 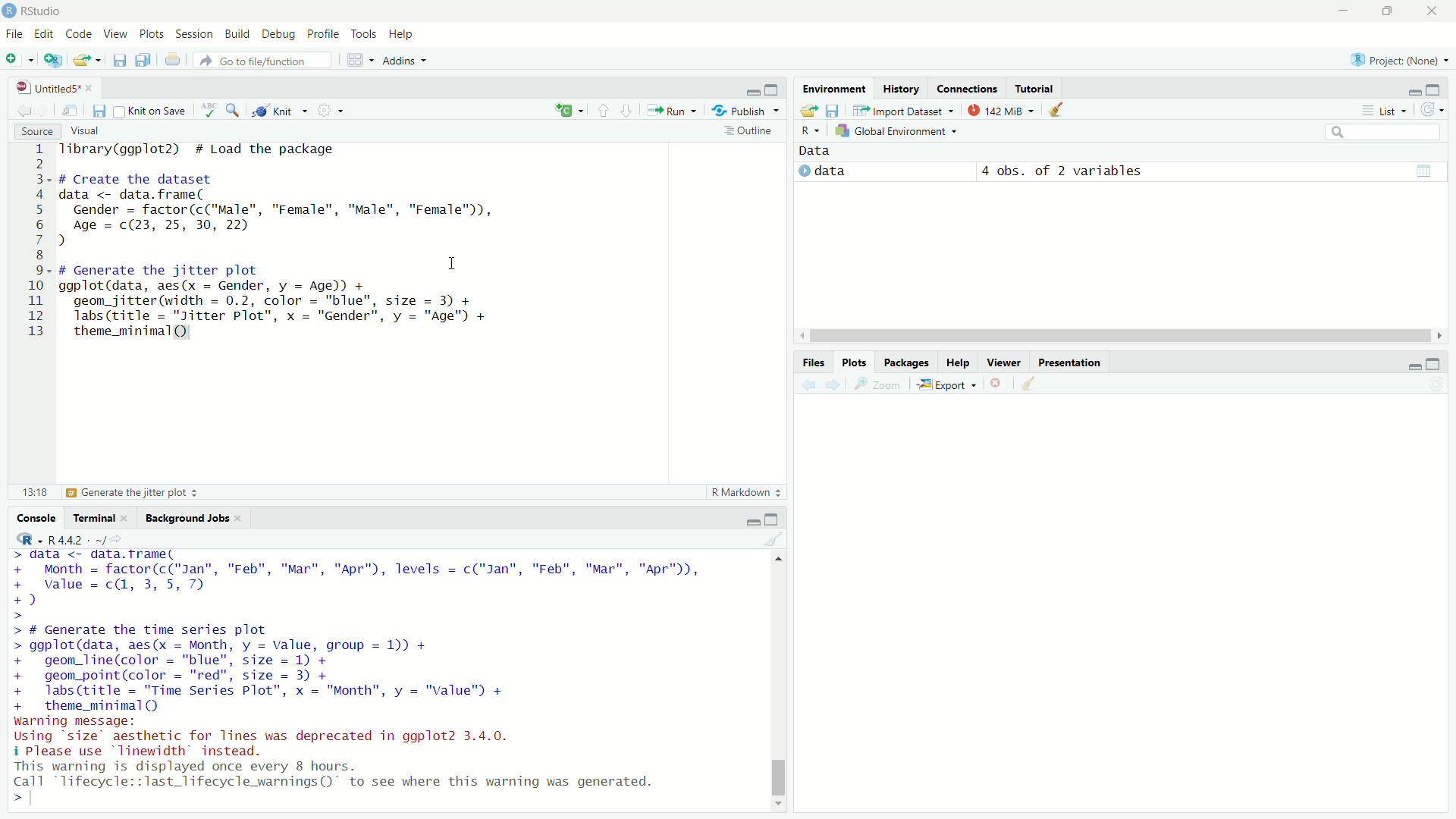 What do you see at coordinates (900, 89) in the screenshot?
I see `history` at bounding box center [900, 89].